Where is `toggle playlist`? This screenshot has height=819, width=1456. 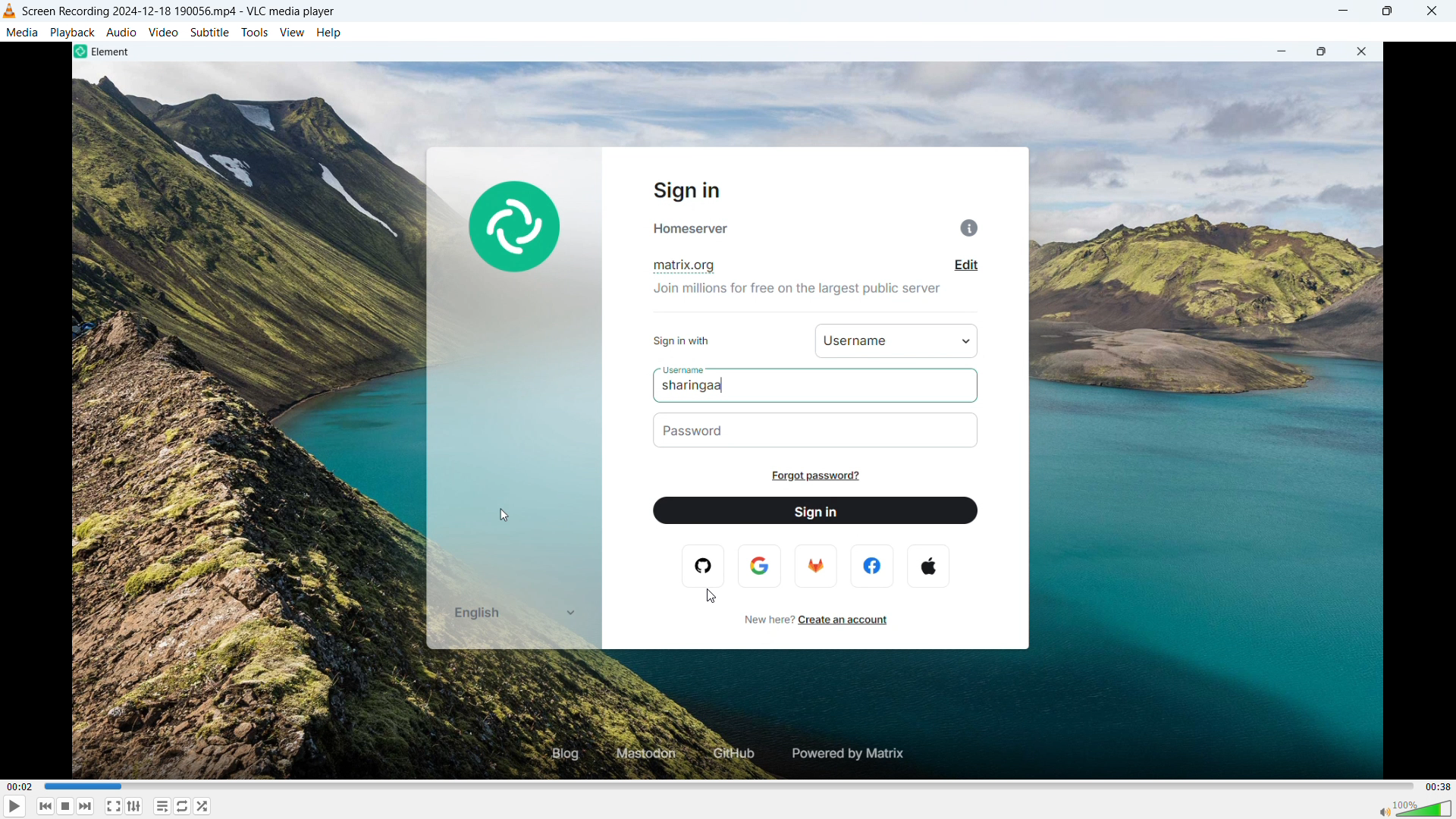 toggle playlist is located at coordinates (134, 806).